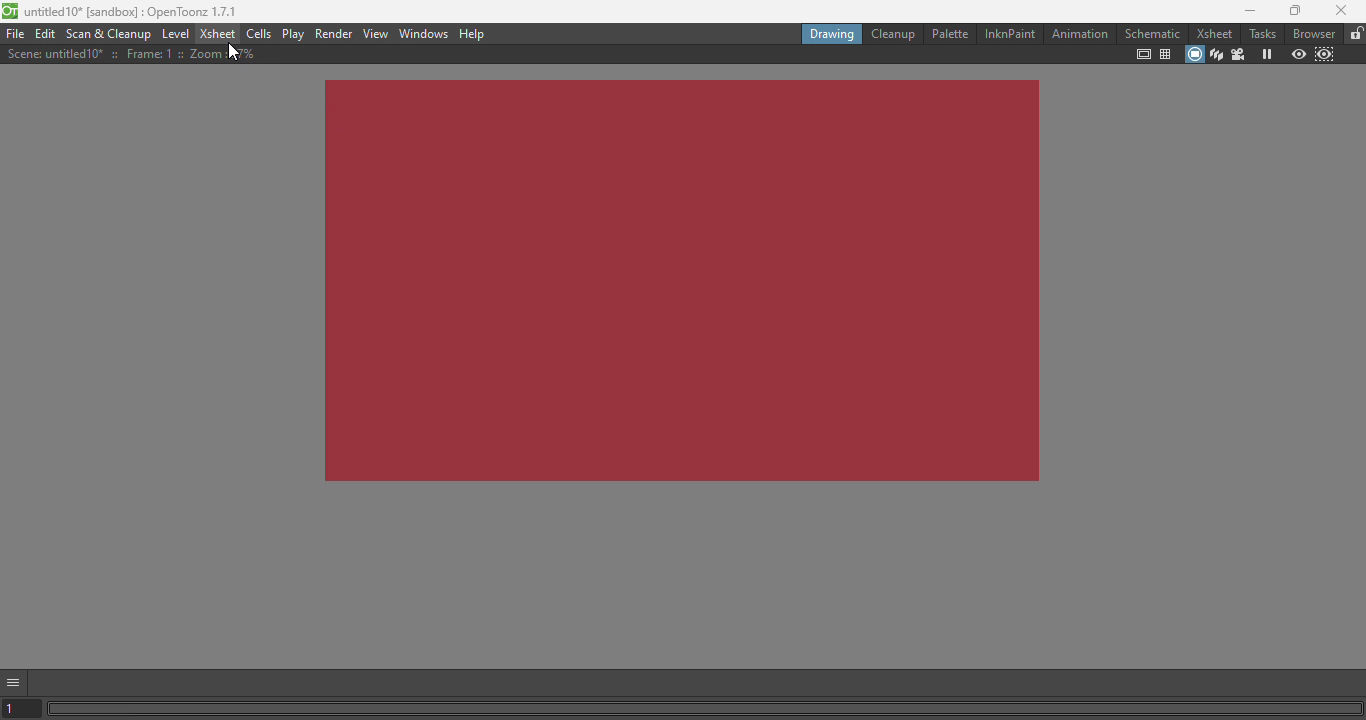  What do you see at coordinates (295, 34) in the screenshot?
I see `Play ` at bounding box center [295, 34].